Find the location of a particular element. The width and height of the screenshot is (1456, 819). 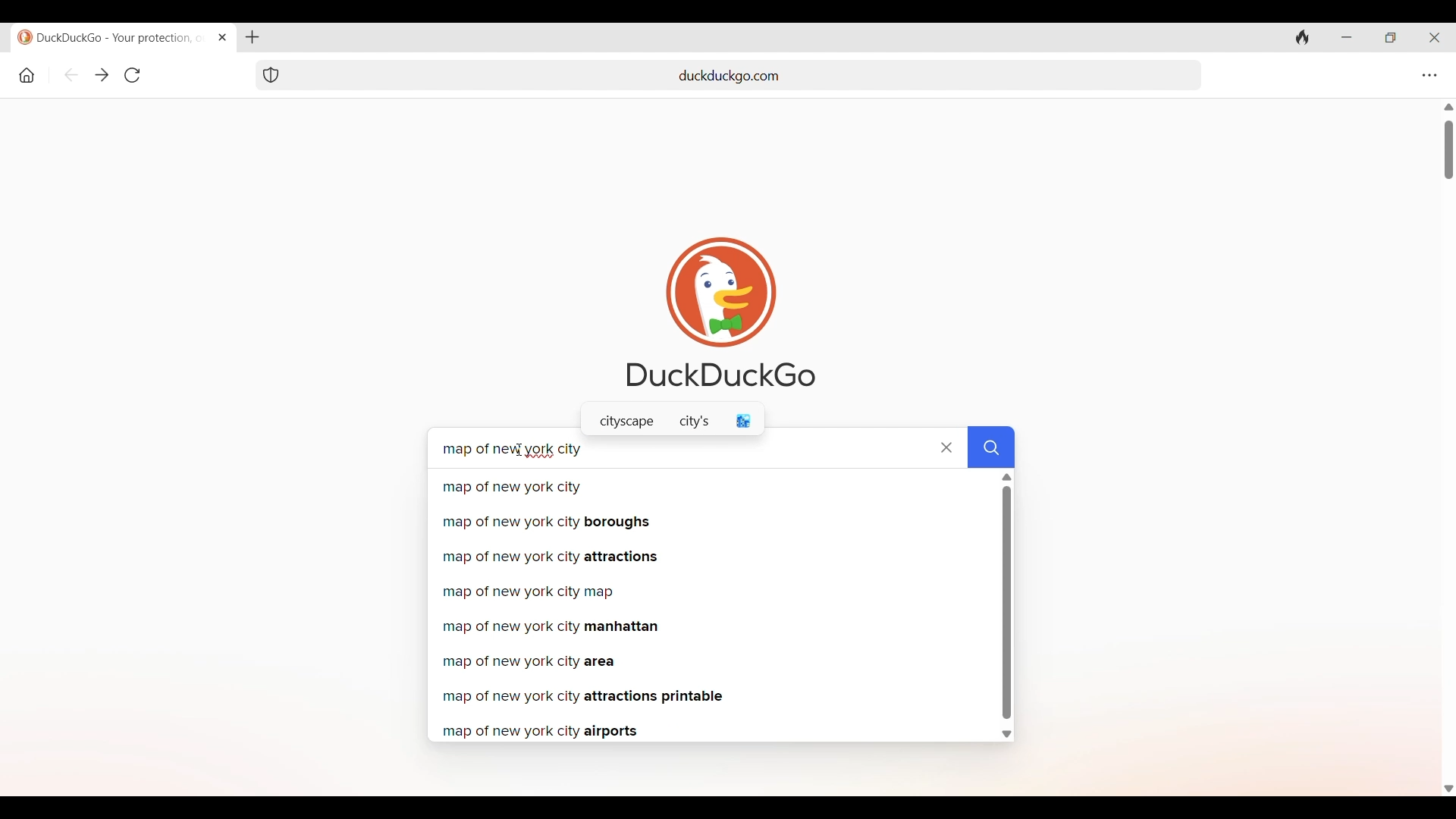

Vertical slide bar is located at coordinates (1448, 150).